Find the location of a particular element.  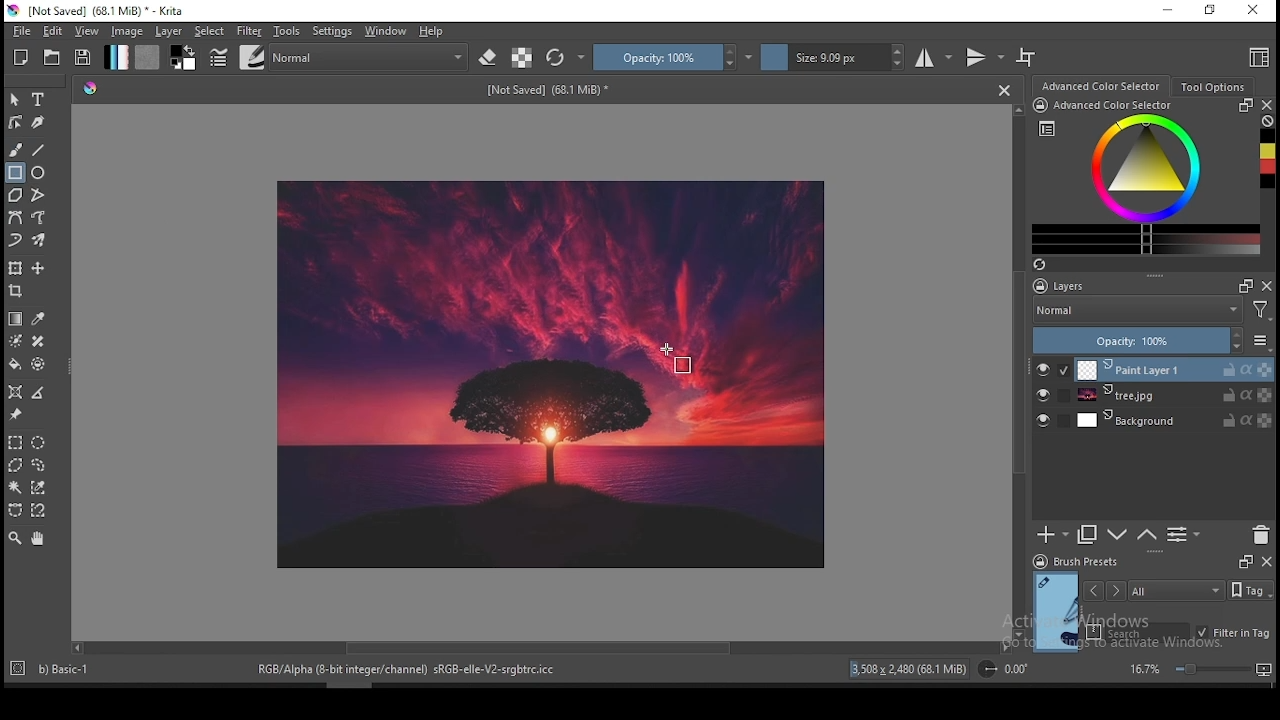

gradient tool is located at coordinates (16, 318).